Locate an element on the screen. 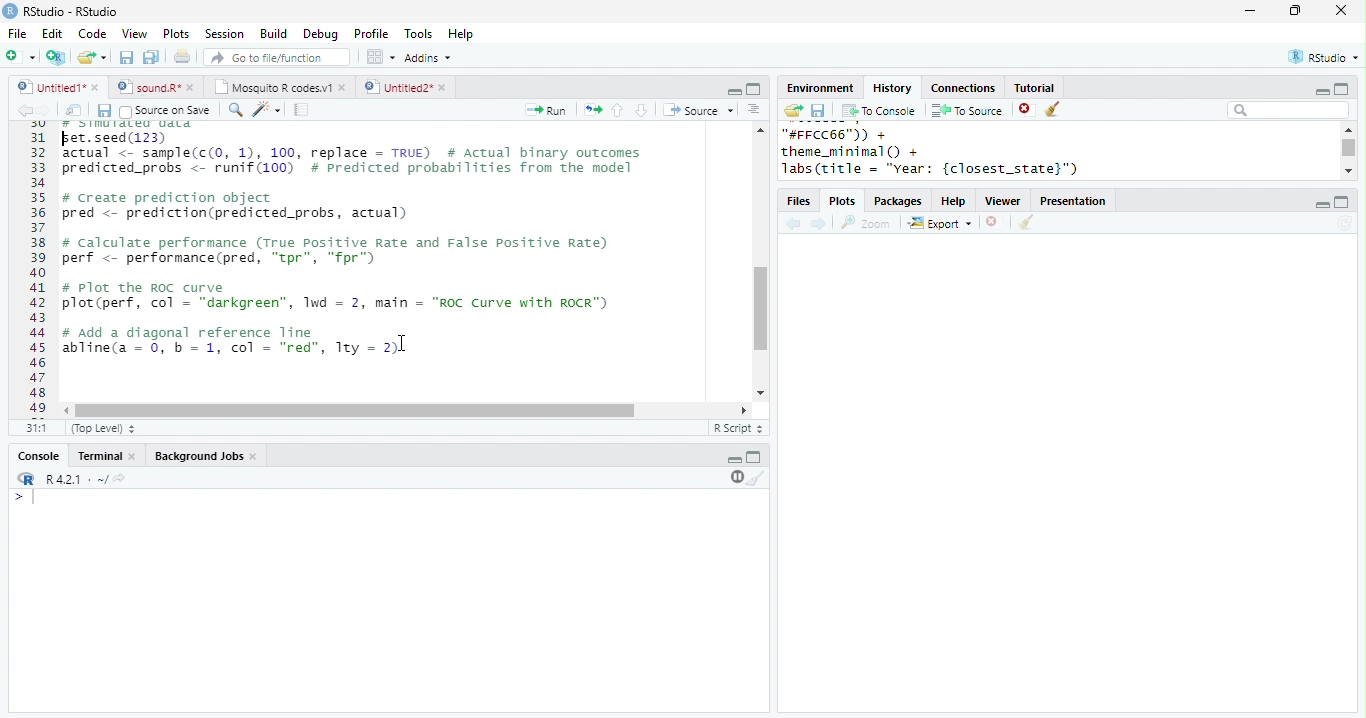  Background Jobs is located at coordinates (198, 456).